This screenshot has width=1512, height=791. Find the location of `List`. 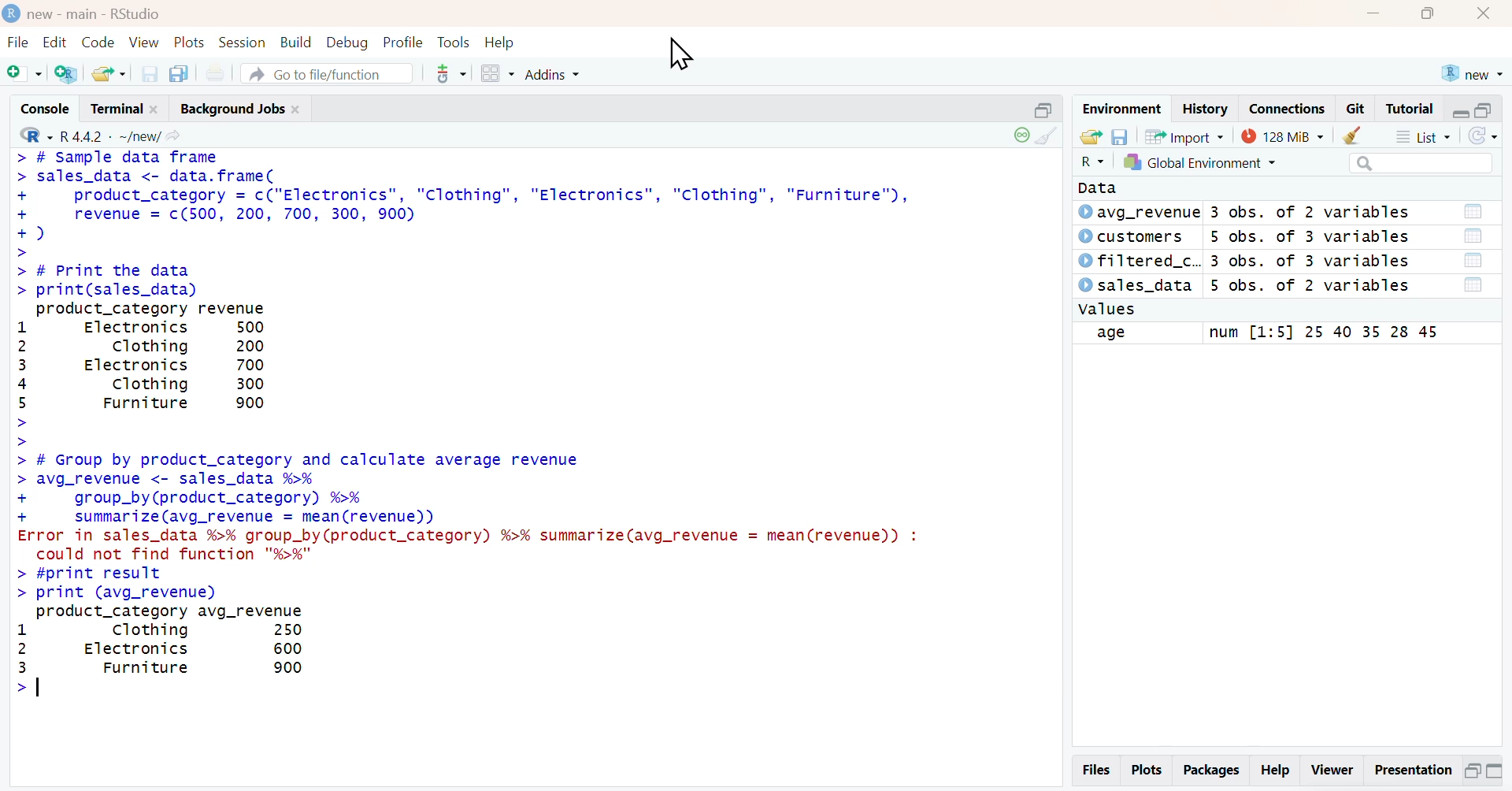

List is located at coordinates (1421, 136).